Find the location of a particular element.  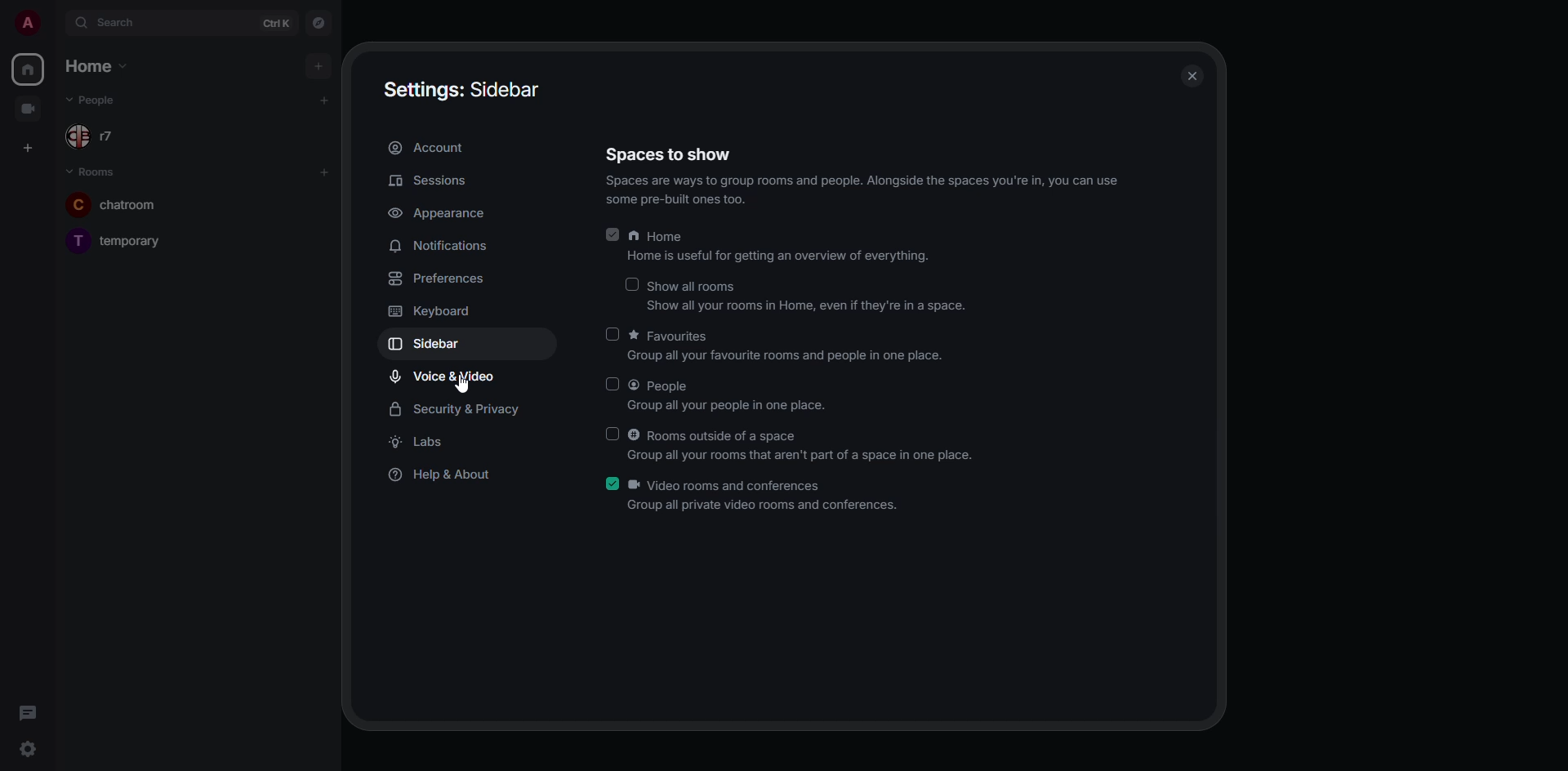

video rooms and conferences is located at coordinates (766, 495).